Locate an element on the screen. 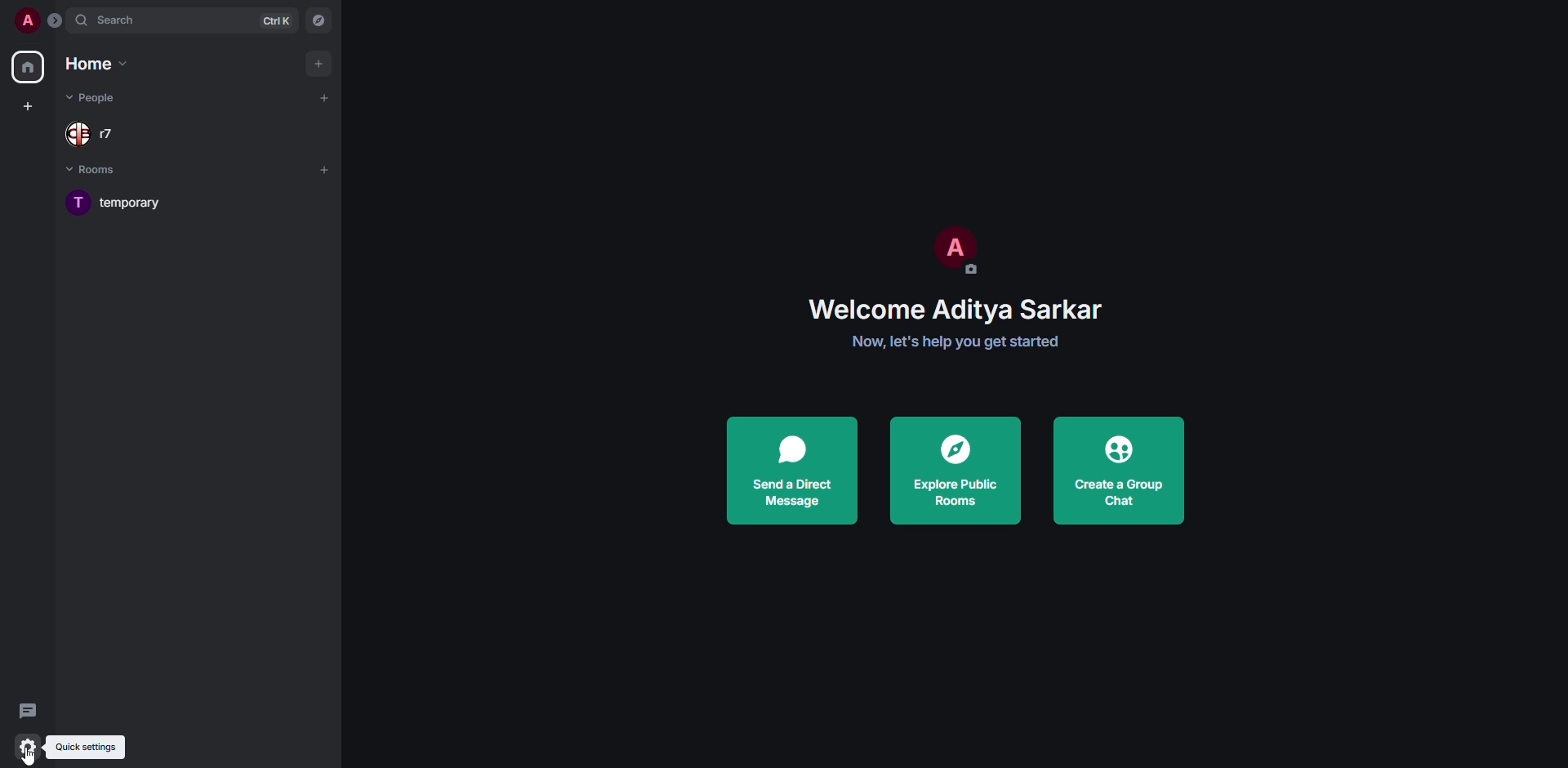 The image size is (1568, 768). quick settings is located at coordinates (27, 743).